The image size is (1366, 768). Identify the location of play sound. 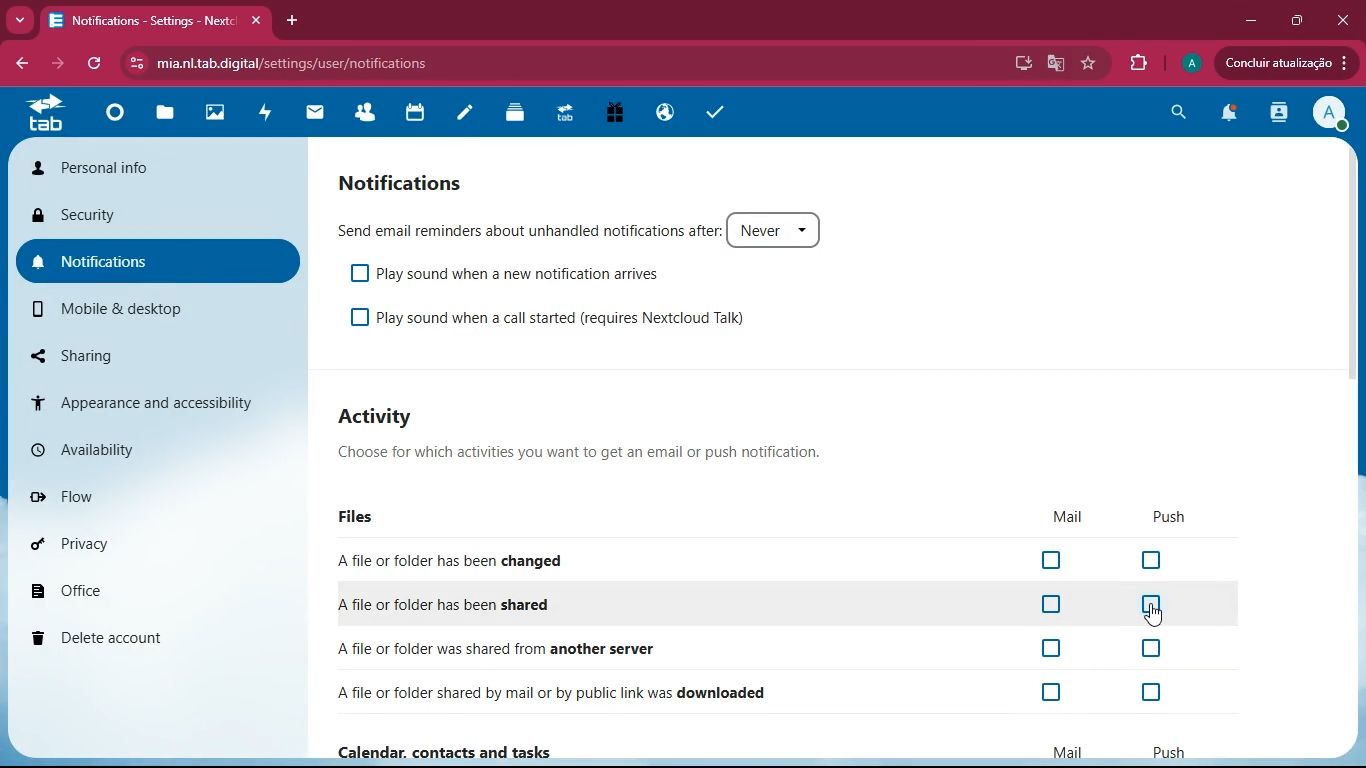
(578, 315).